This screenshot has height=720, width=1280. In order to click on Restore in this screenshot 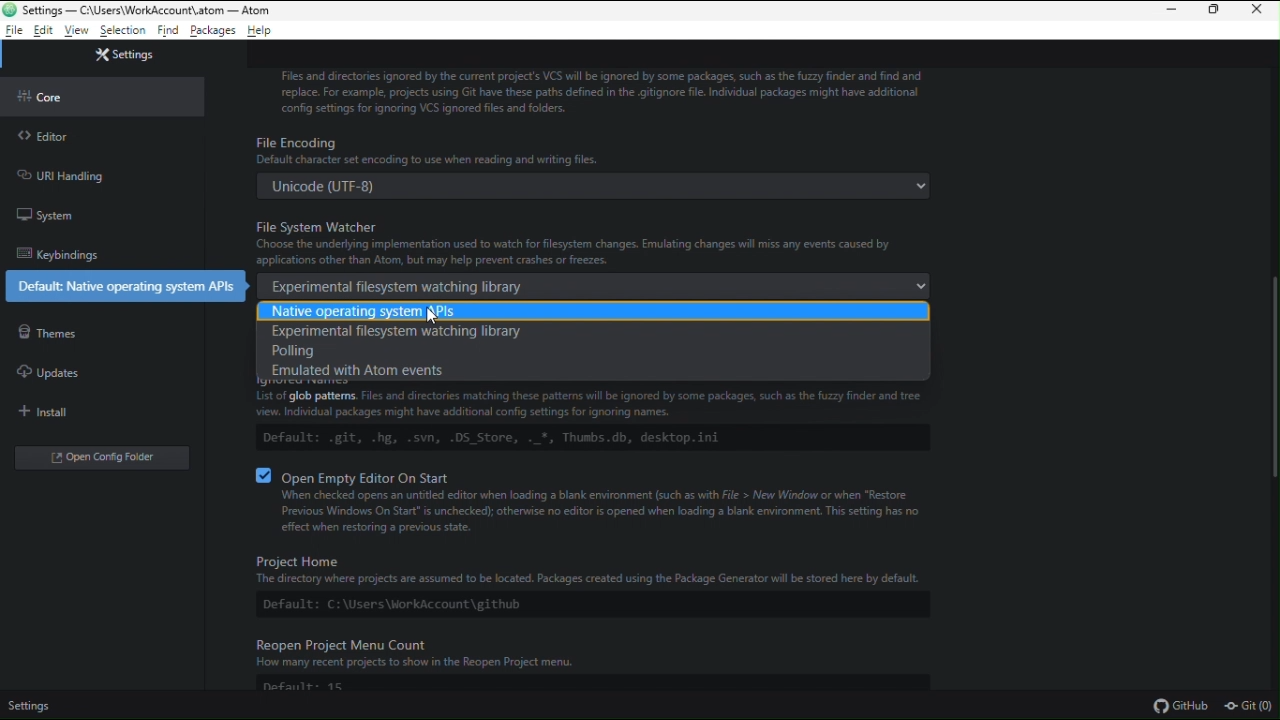, I will do `click(1216, 12)`.